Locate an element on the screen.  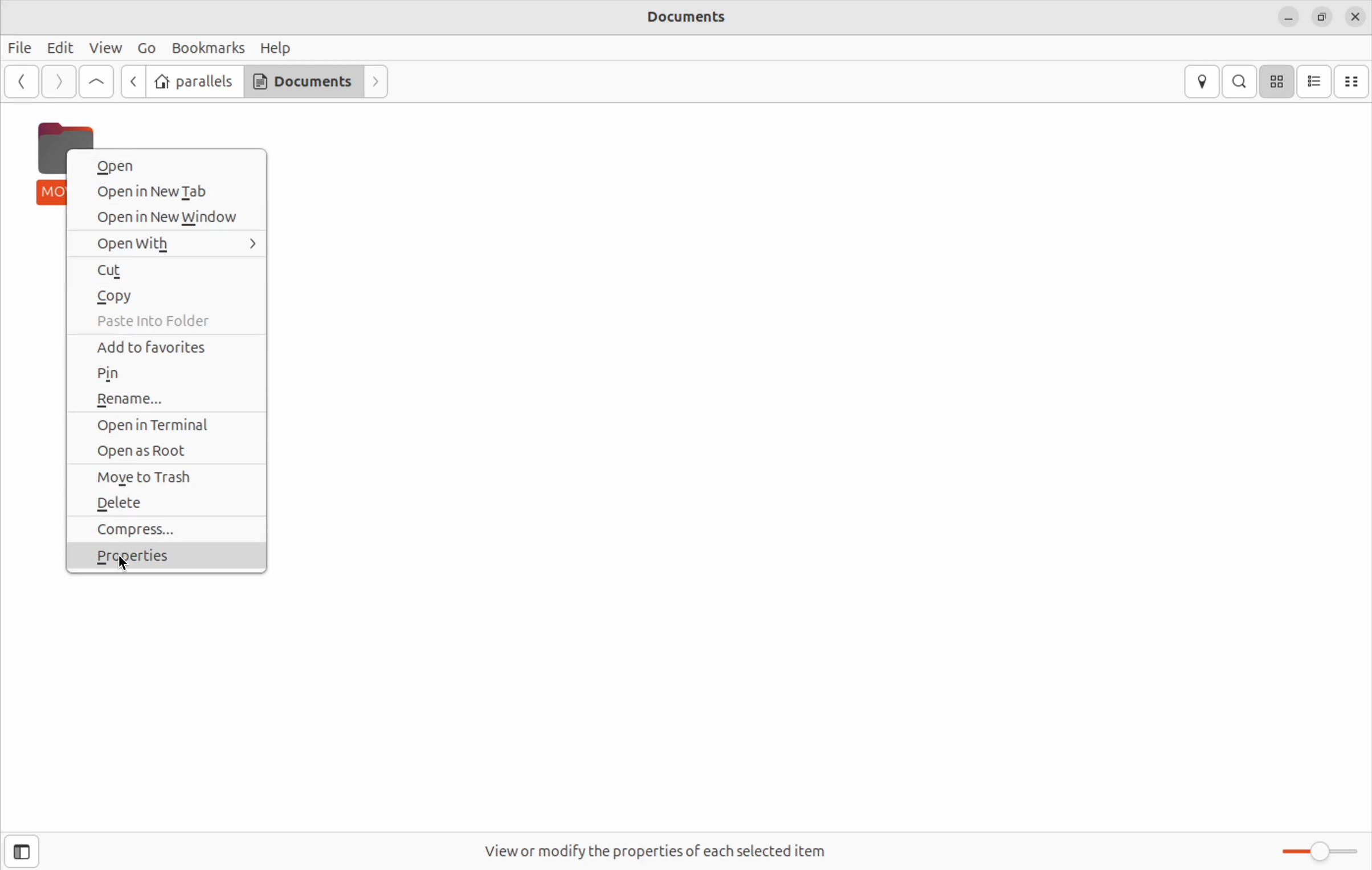
Open in New Window is located at coordinates (170, 218).